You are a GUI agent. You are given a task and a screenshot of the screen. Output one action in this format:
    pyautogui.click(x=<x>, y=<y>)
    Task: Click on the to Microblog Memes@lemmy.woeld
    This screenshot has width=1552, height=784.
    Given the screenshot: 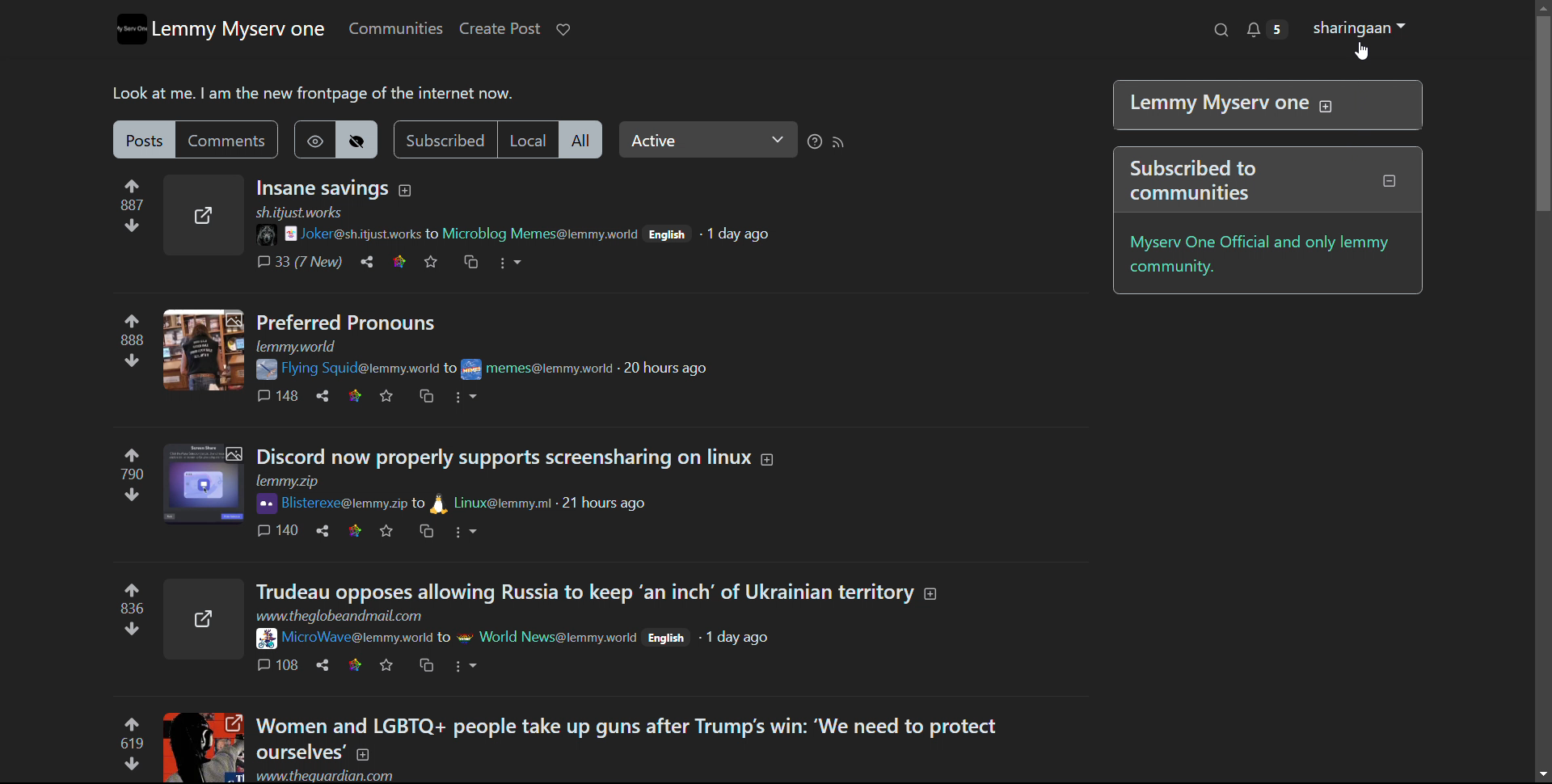 What is the action you would take?
    pyautogui.click(x=532, y=234)
    